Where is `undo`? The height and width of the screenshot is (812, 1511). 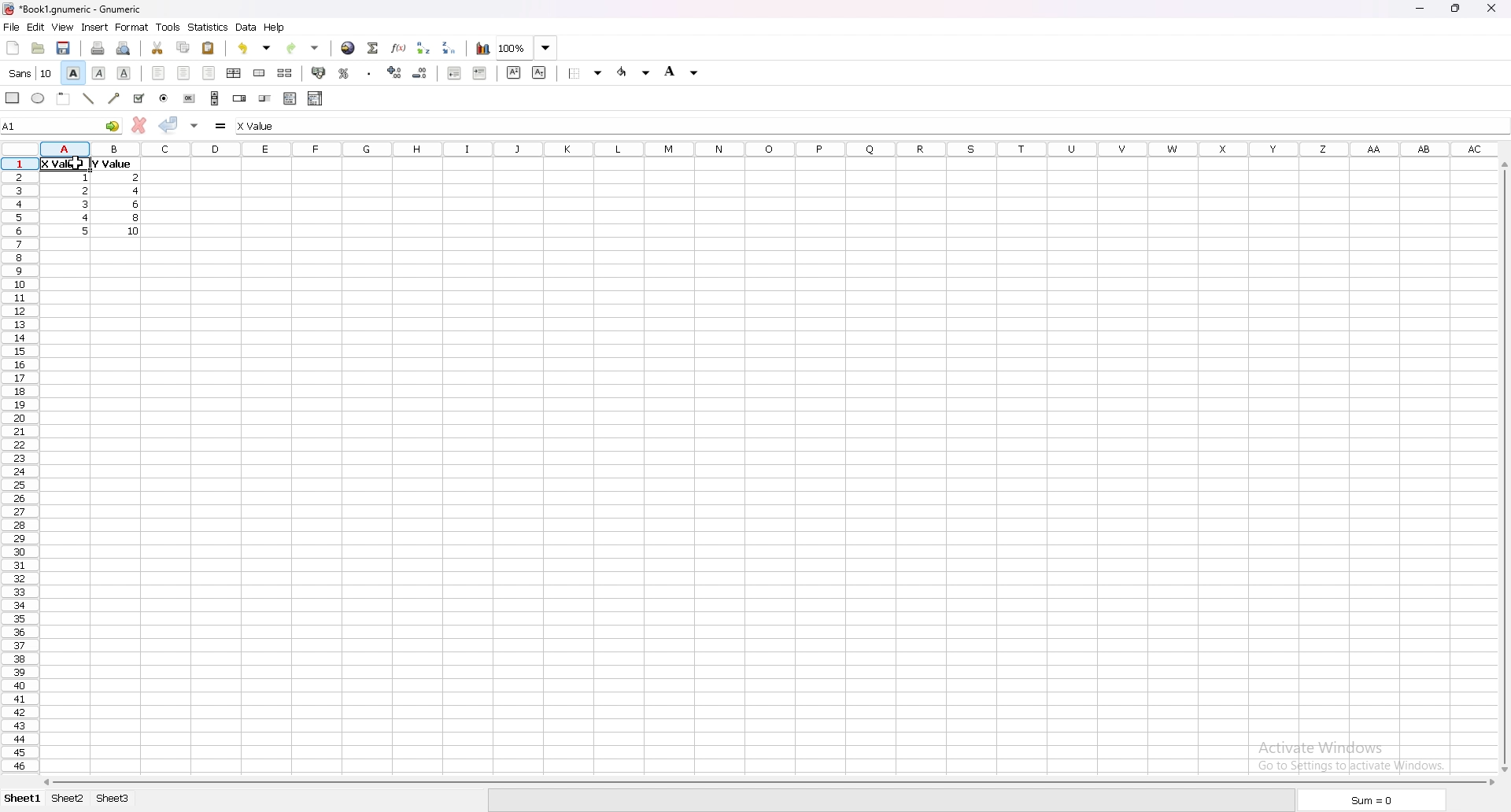 undo is located at coordinates (254, 48).